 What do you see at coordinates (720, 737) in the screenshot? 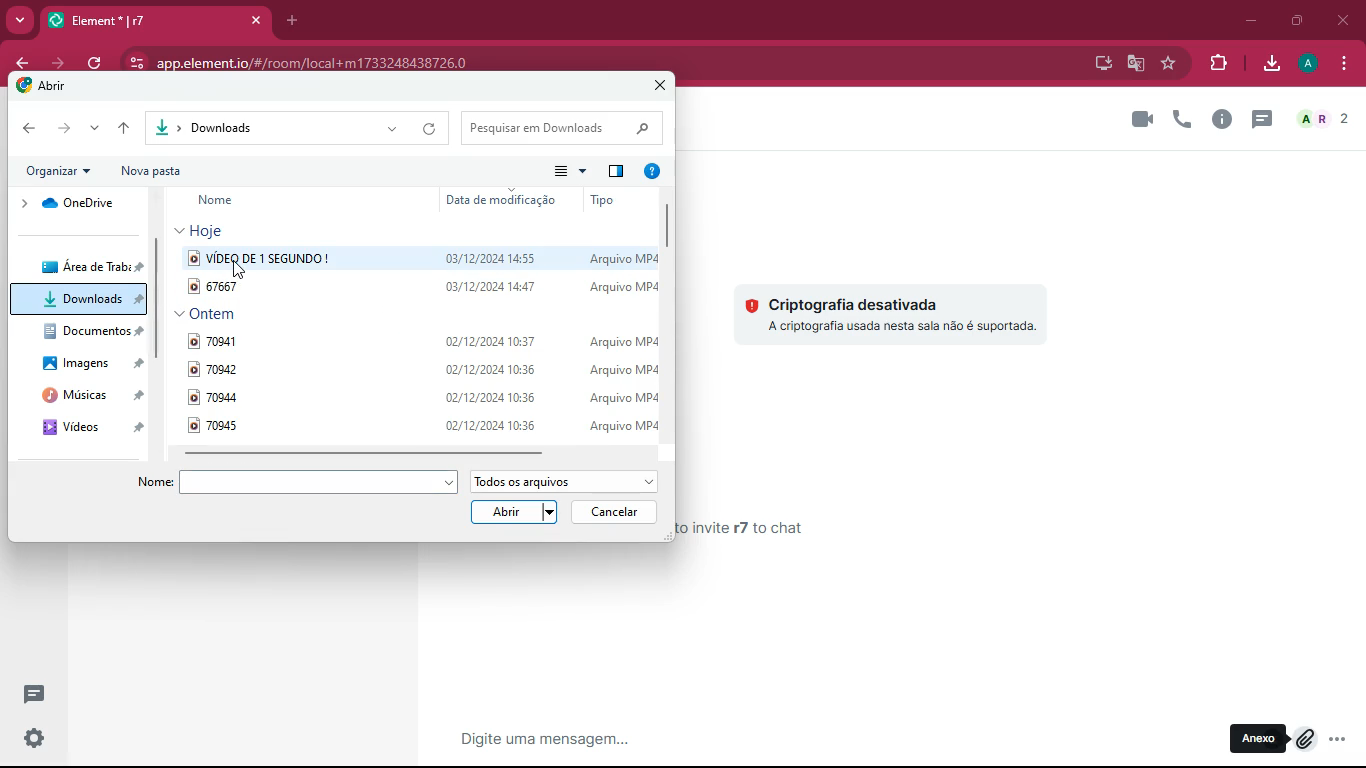
I see `message` at bounding box center [720, 737].